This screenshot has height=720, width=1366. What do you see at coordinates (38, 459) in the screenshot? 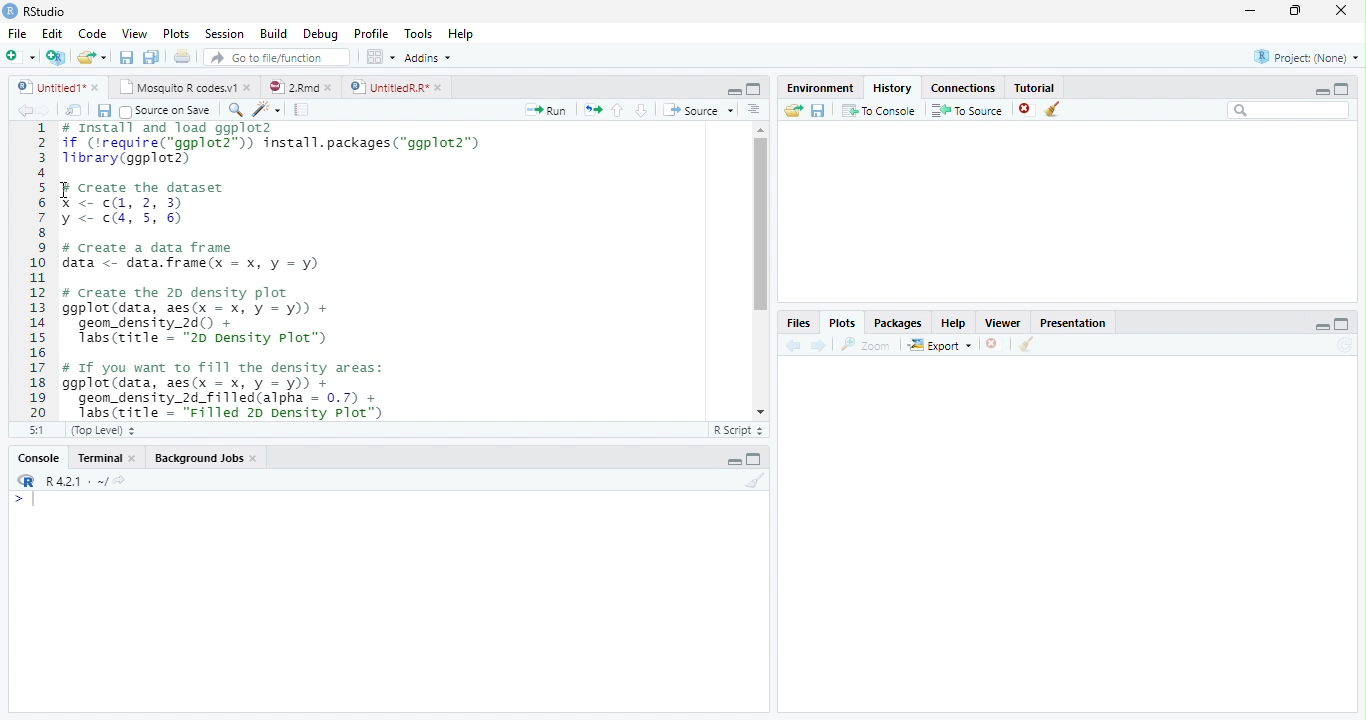
I see `Console` at bounding box center [38, 459].